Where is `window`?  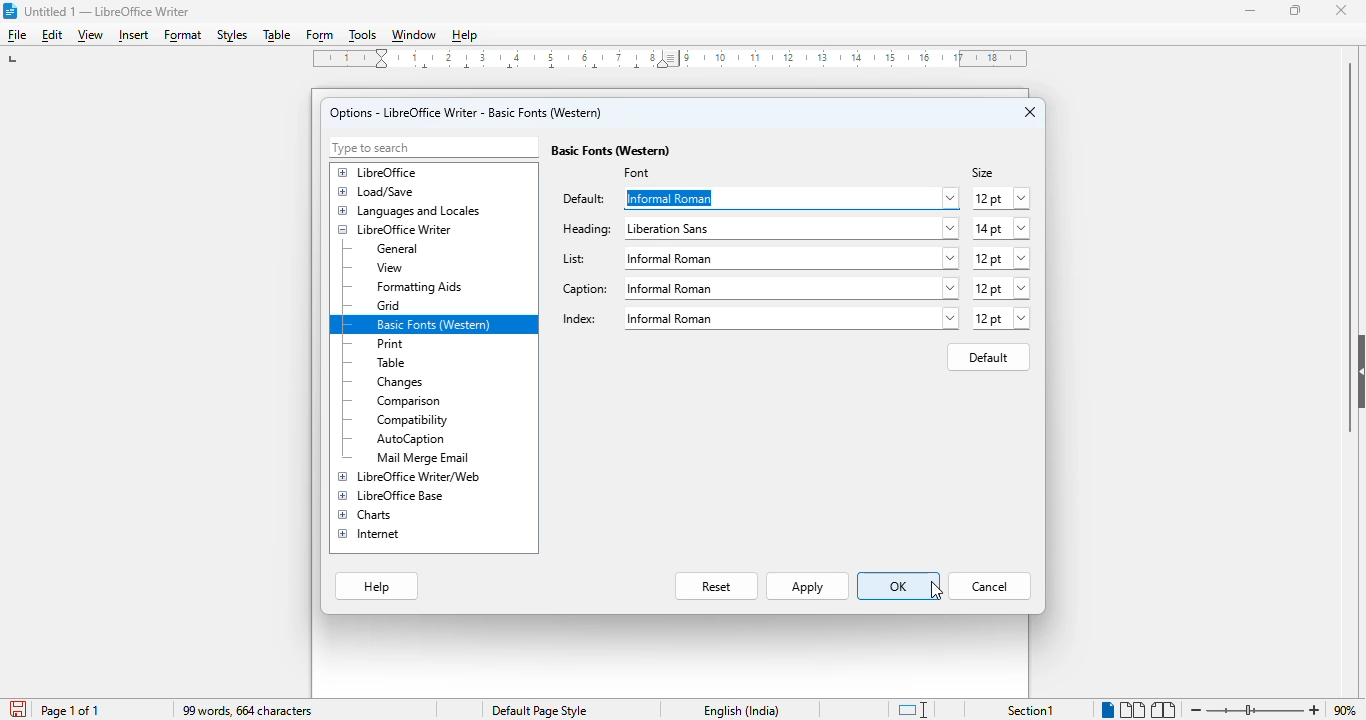
window is located at coordinates (413, 37).